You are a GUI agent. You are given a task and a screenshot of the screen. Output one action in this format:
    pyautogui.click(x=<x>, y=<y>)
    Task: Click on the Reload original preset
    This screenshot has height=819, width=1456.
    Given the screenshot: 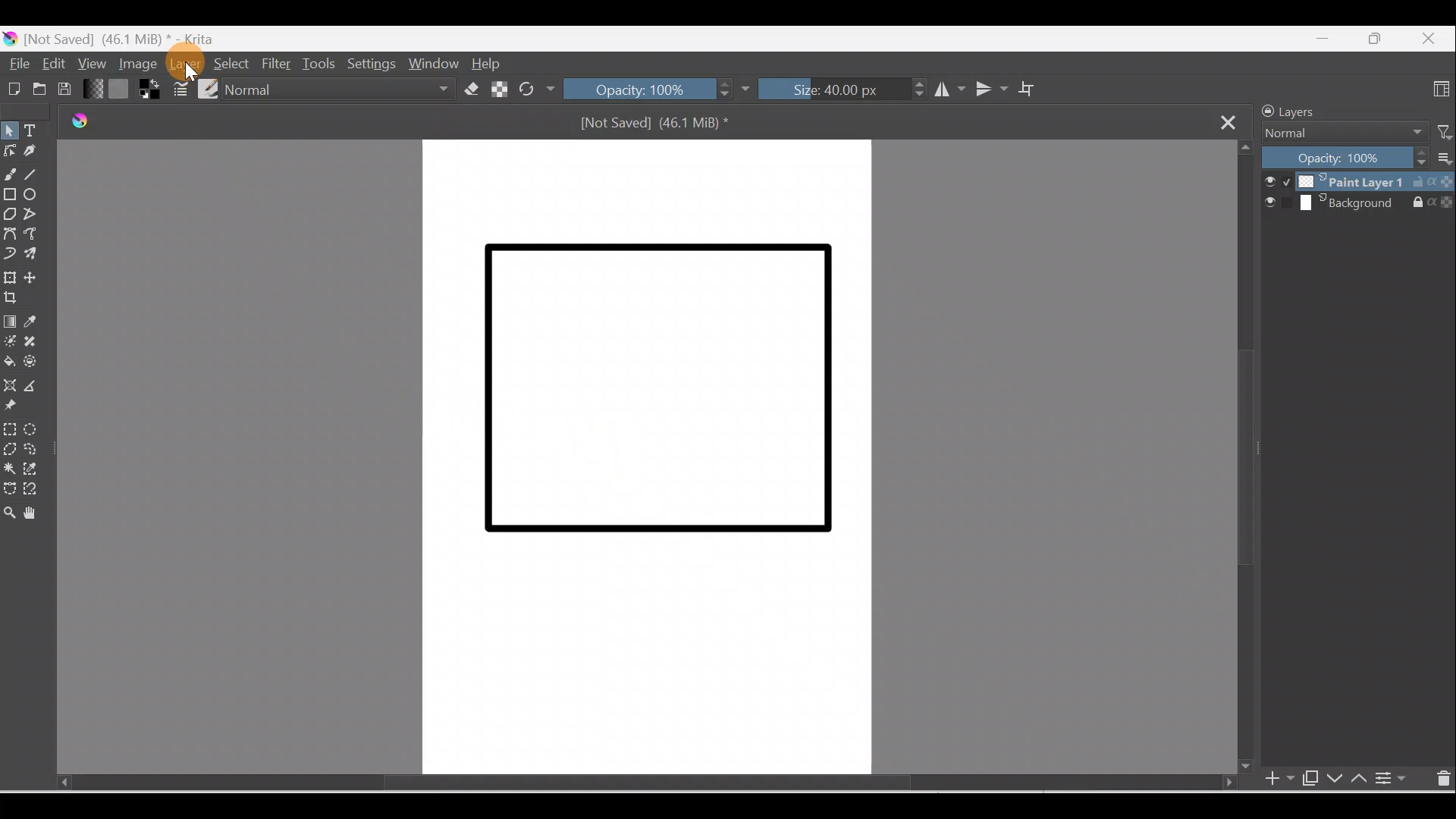 What is the action you would take?
    pyautogui.click(x=536, y=89)
    